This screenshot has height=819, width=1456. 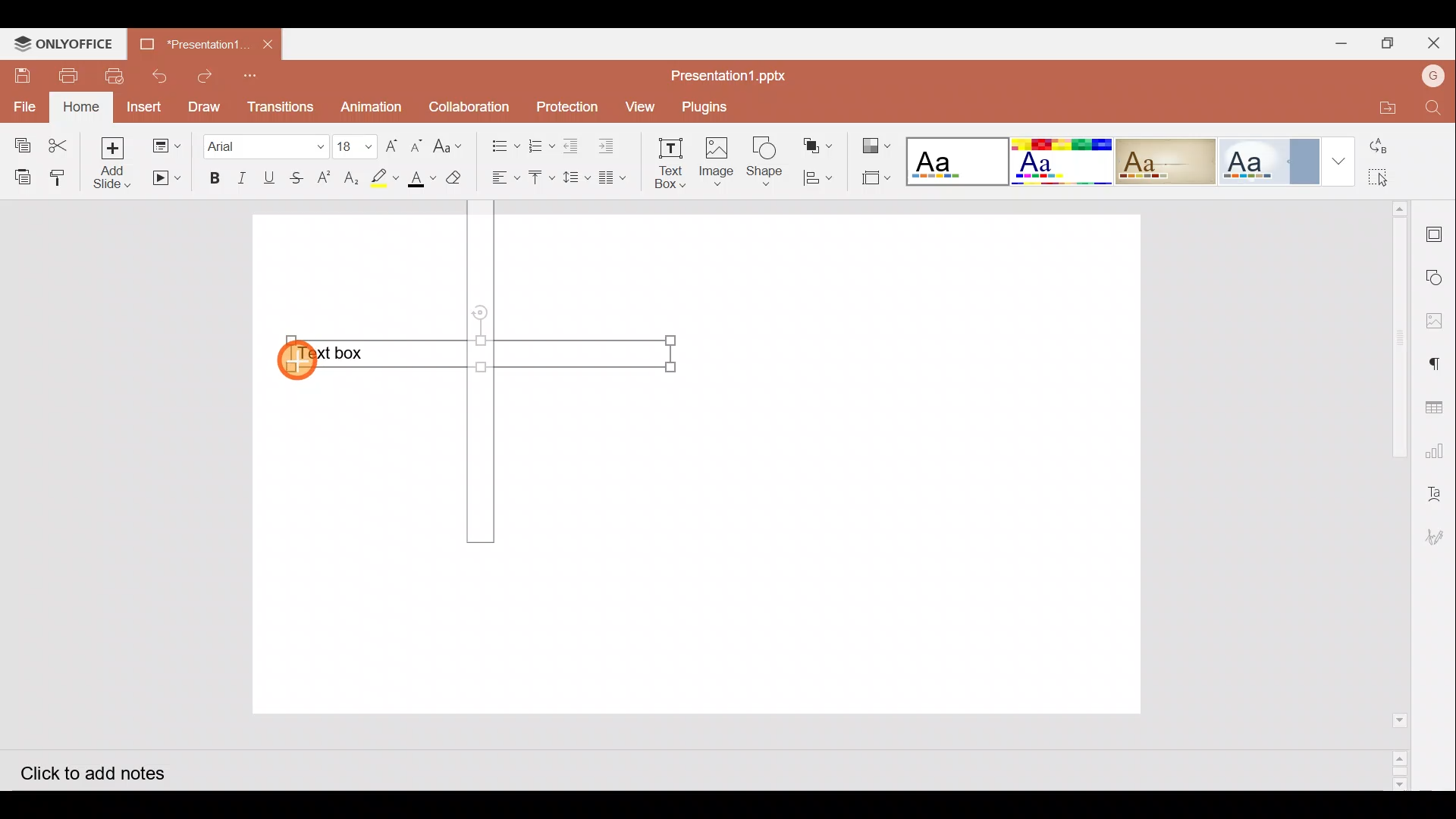 What do you see at coordinates (300, 365) in the screenshot?
I see `Cursor on text box` at bounding box center [300, 365].